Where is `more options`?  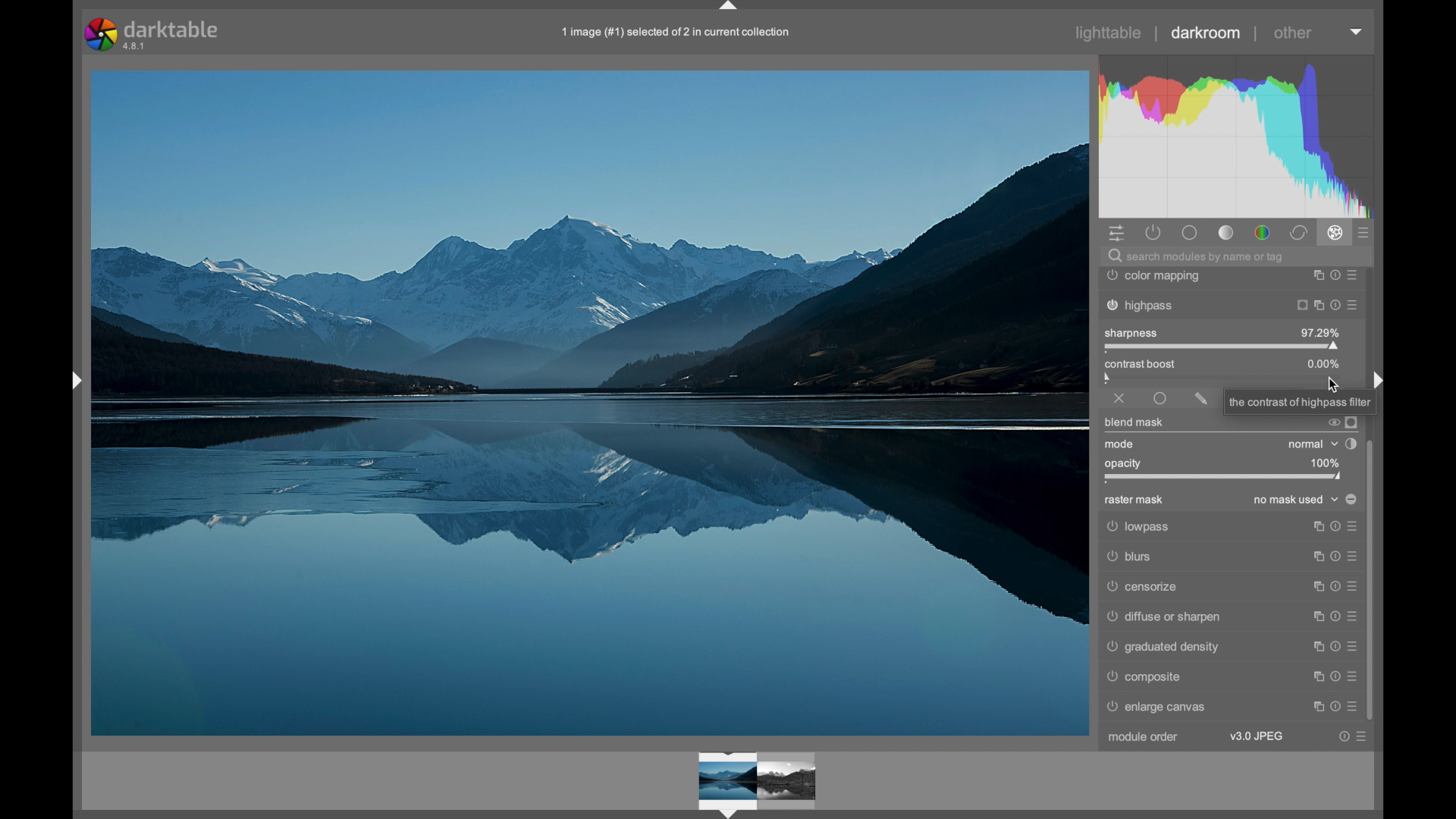 more options is located at coordinates (1334, 676).